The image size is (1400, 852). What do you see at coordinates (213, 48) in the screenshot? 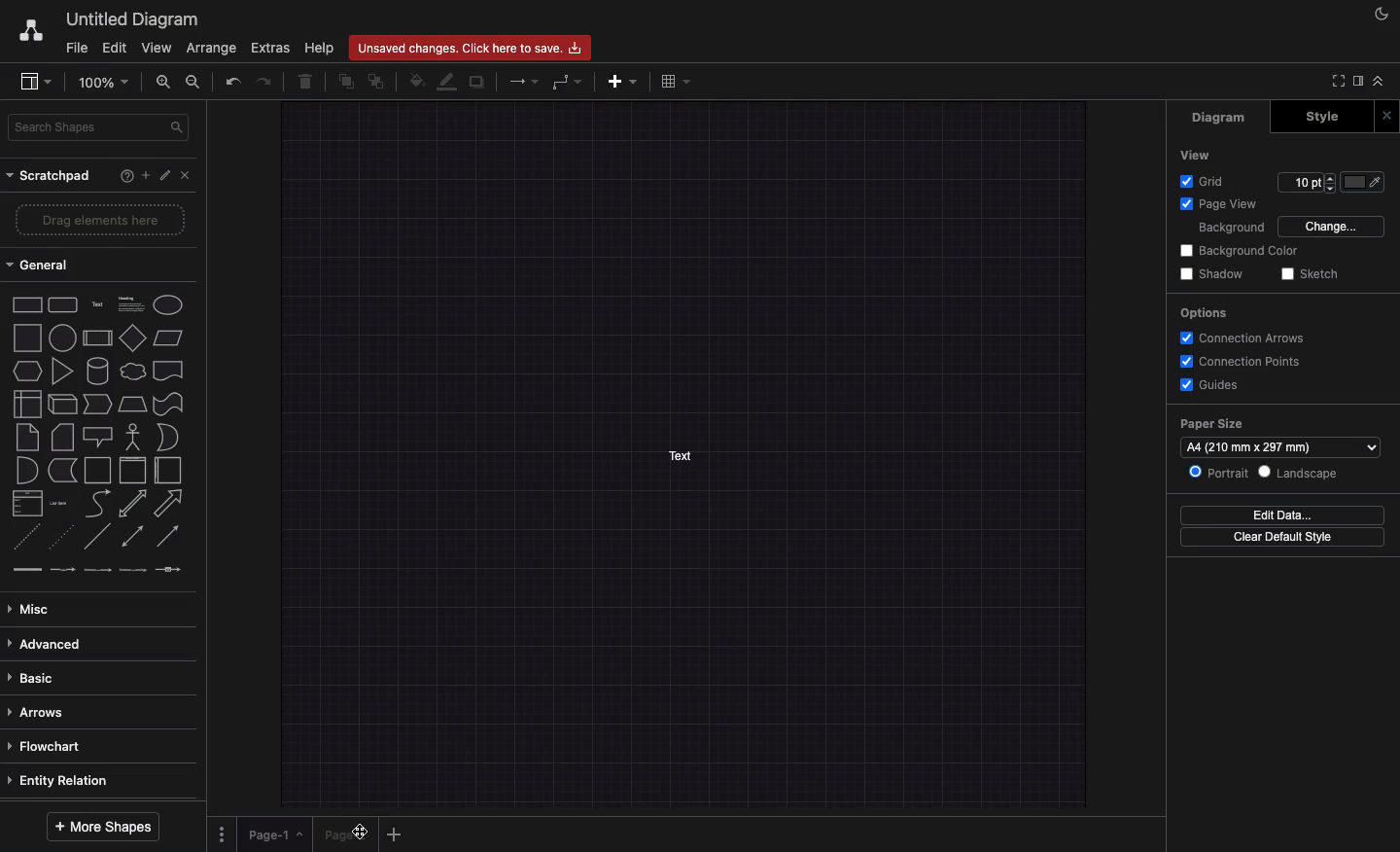
I see `Arrange` at bounding box center [213, 48].